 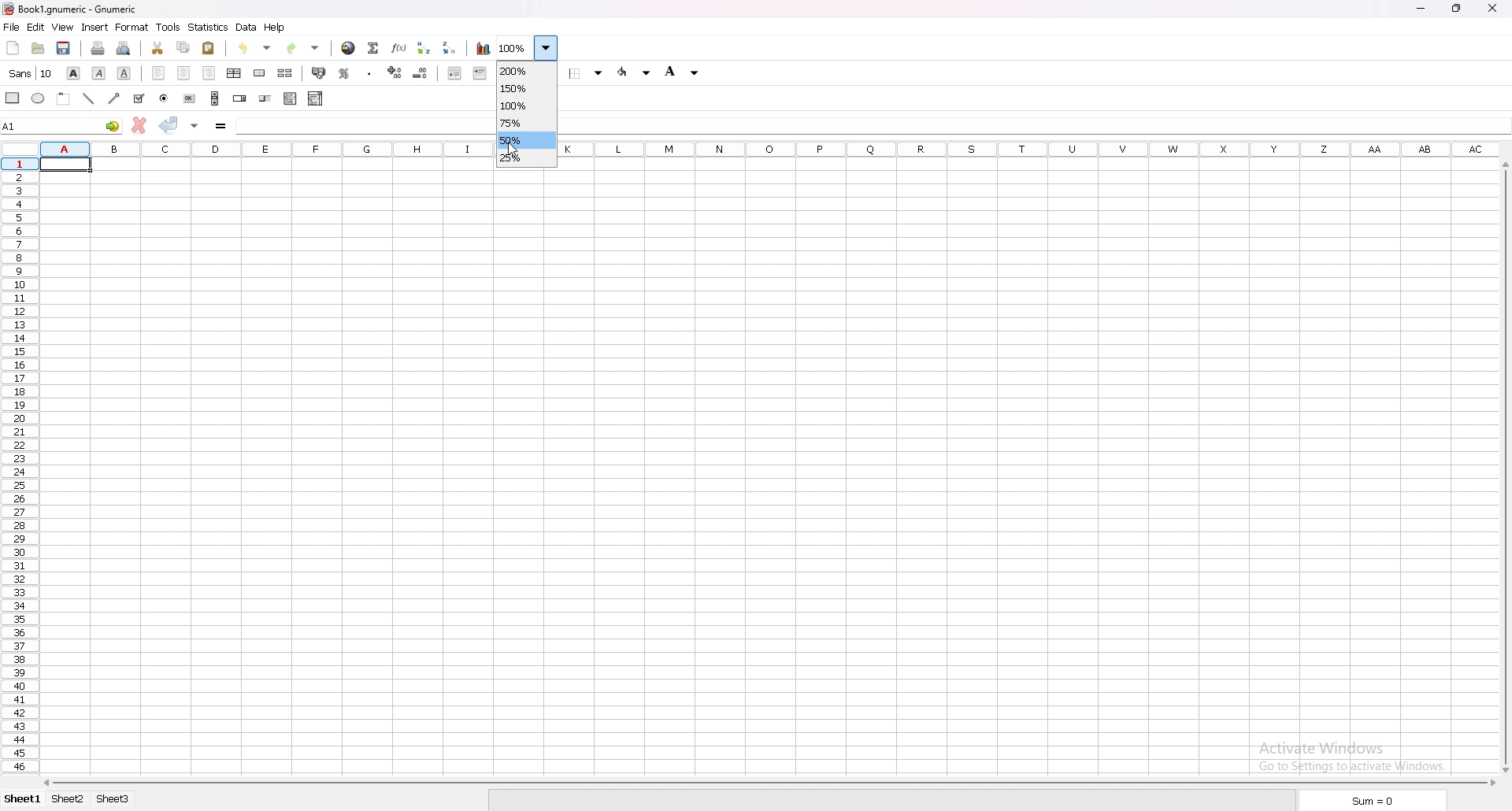 What do you see at coordinates (158, 47) in the screenshot?
I see `cut` at bounding box center [158, 47].